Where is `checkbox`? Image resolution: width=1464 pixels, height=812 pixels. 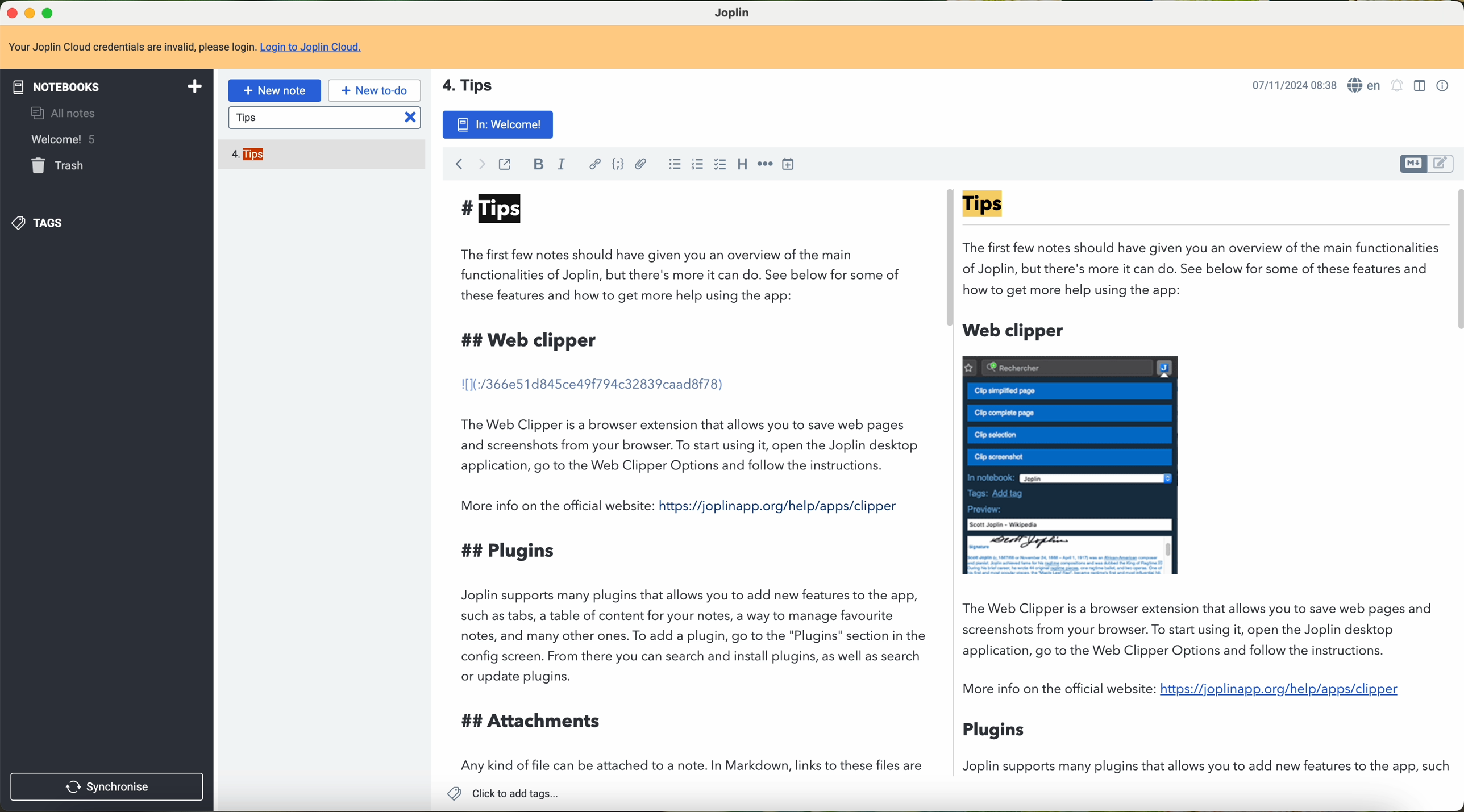
checkbox is located at coordinates (719, 165).